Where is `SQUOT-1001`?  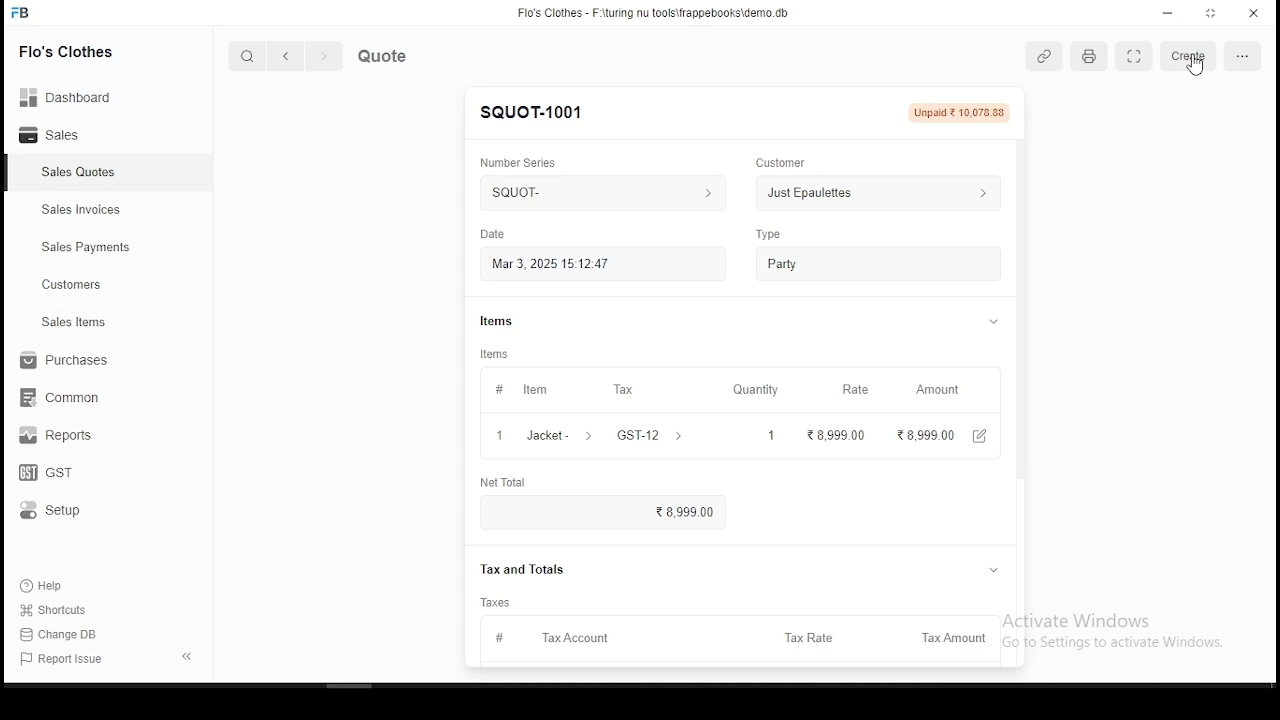 SQUOT-1001 is located at coordinates (540, 109).